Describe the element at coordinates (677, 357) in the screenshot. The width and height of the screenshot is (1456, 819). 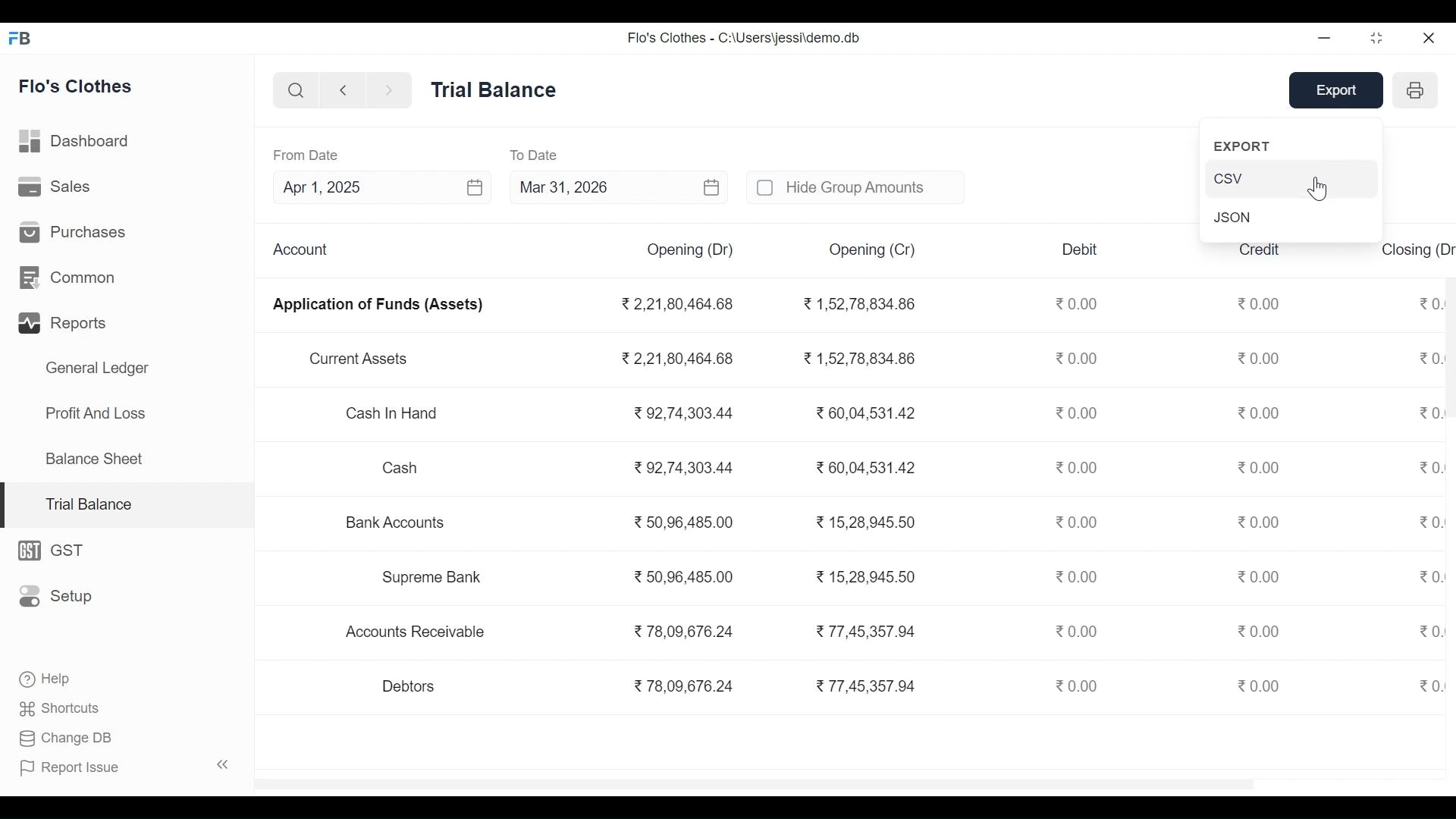
I see `2.21,80,464.68` at that location.